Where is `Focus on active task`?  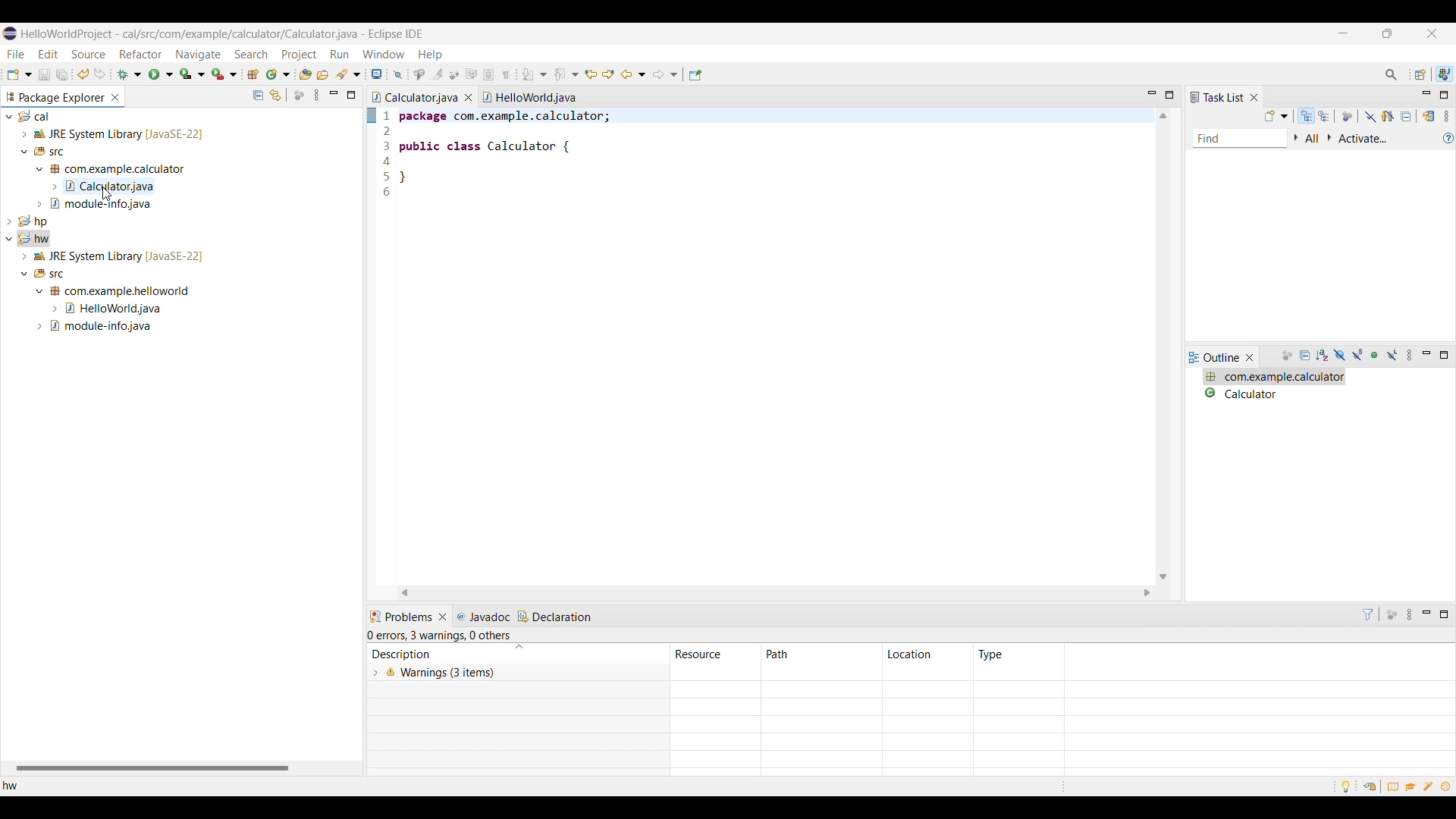 Focus on active task is located at coordinates (1392, 615).